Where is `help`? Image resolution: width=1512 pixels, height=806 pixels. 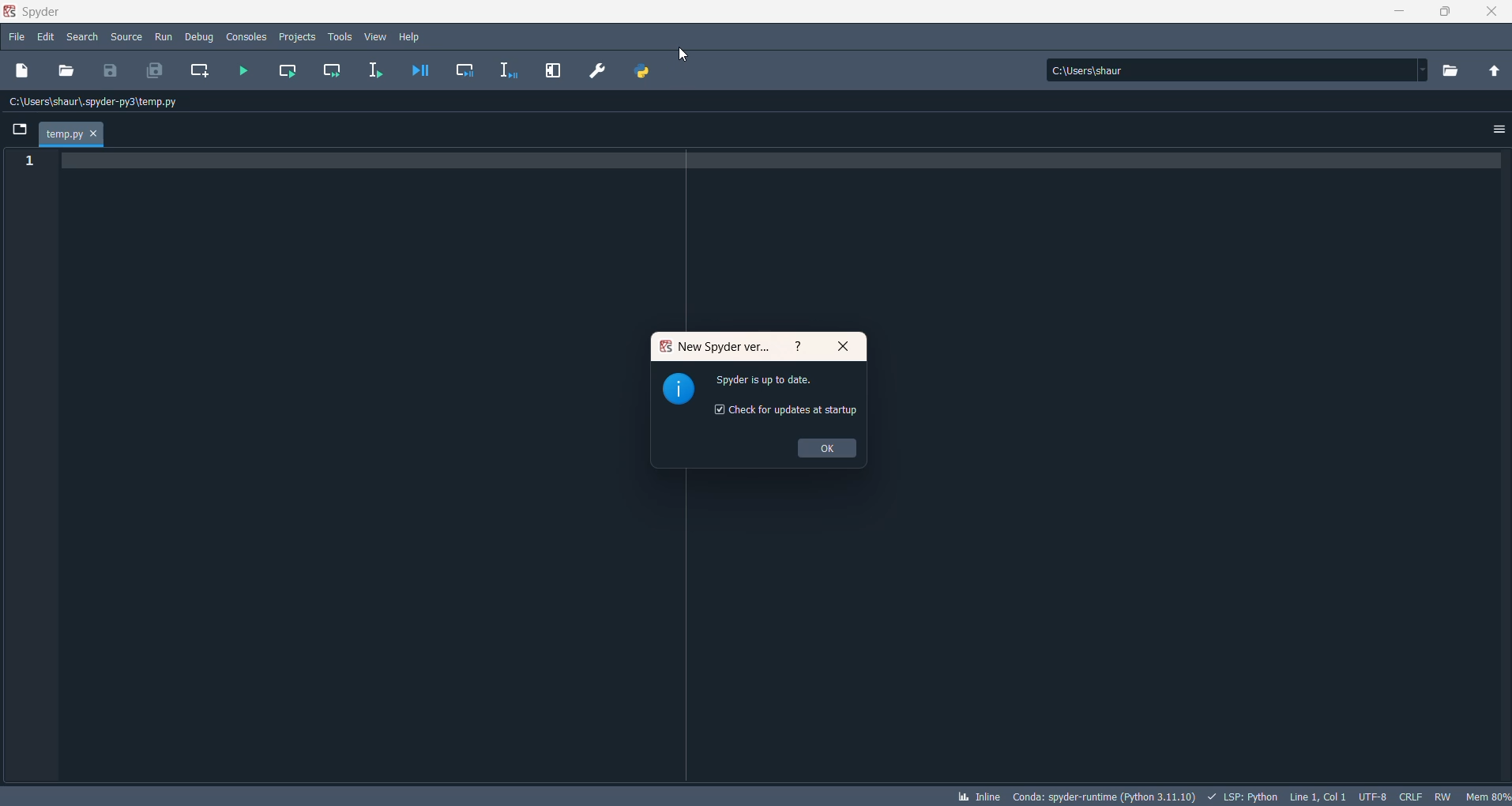
help is located at coordinates (798, 347).